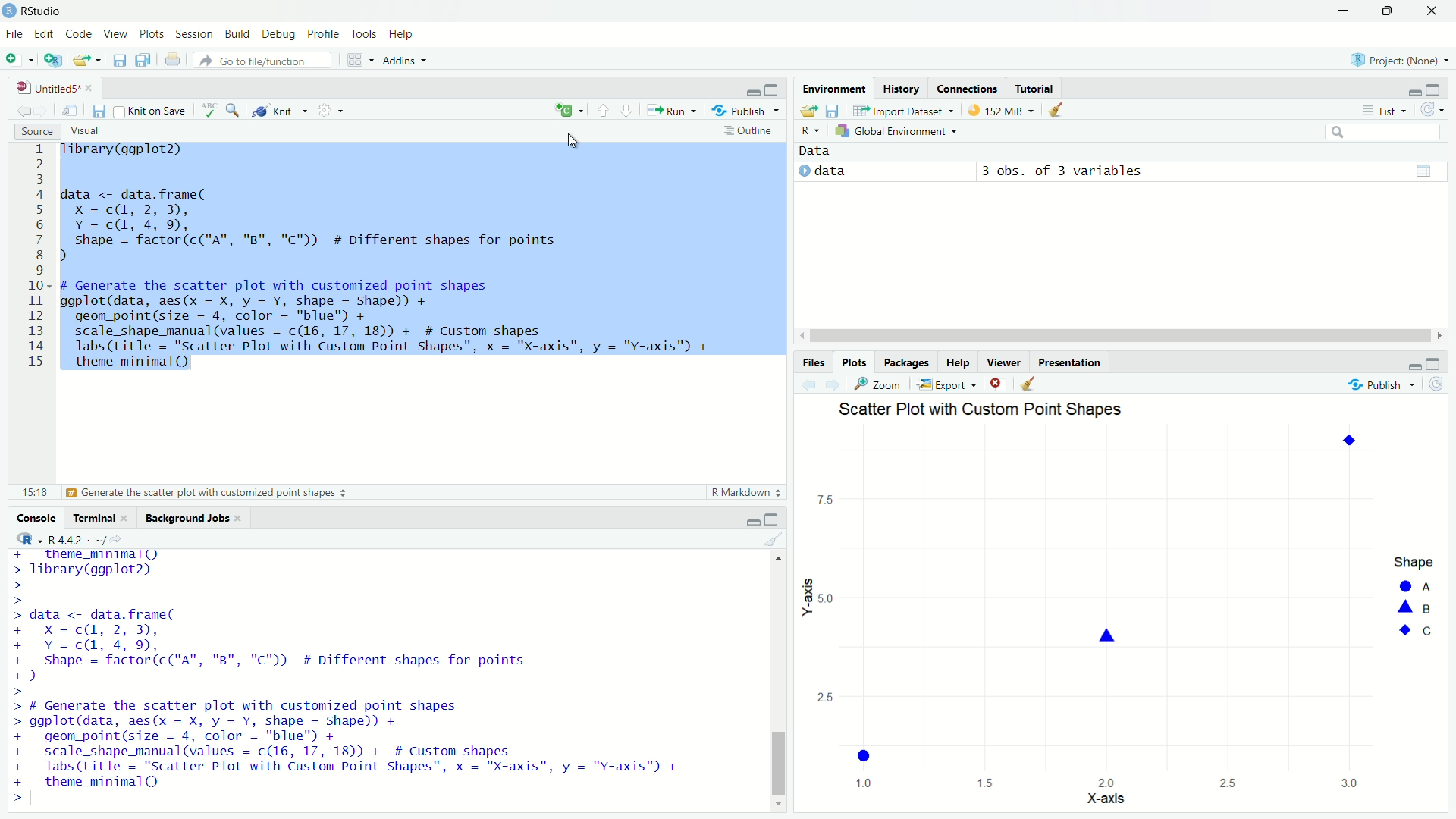 Image resolution: width=1456 pixels, height=819 pixels. What do you see at coordinates (811, 132) in the screenshot?
I see `R` at bounding box center [811, 132].